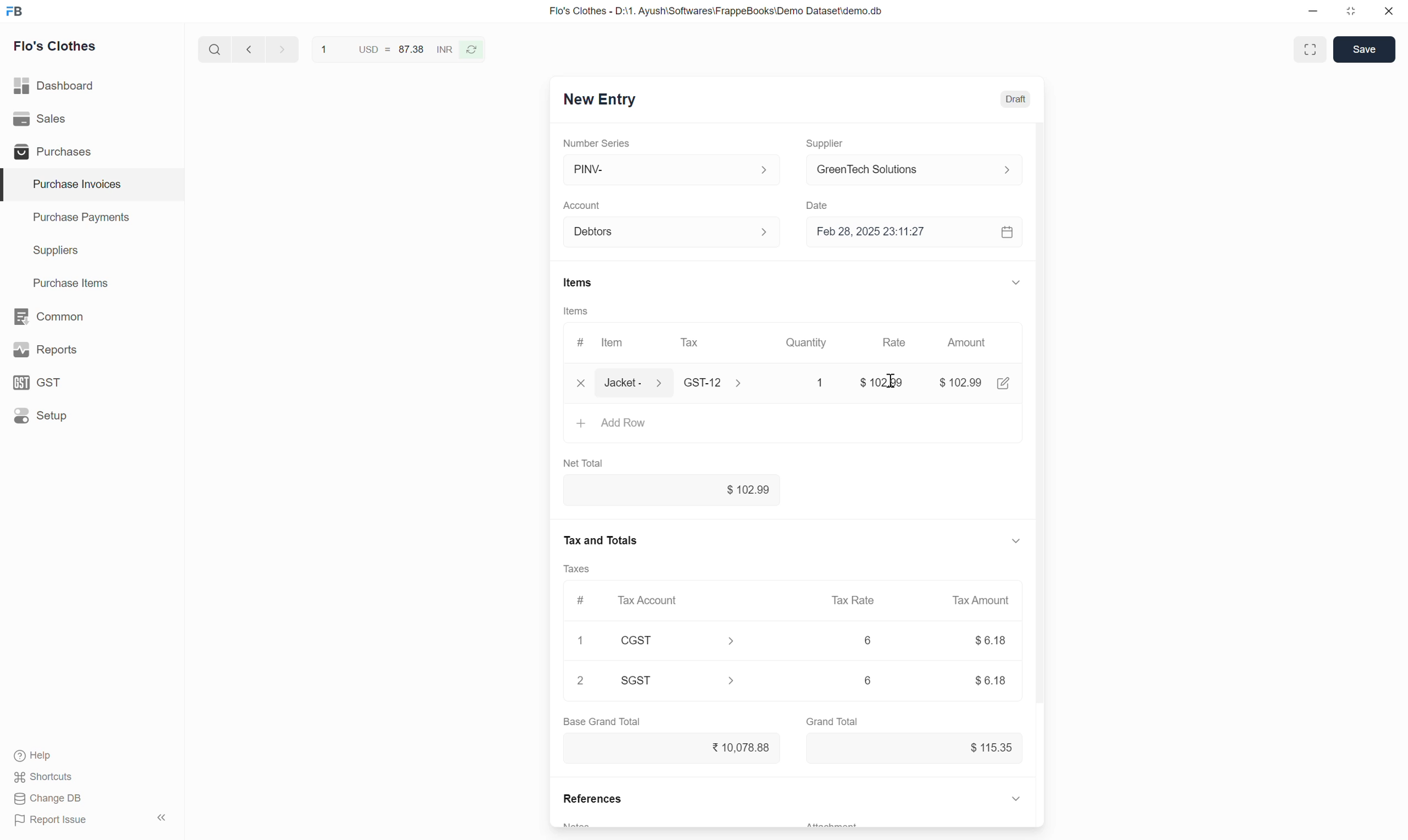 The height and width of the screenshot is (840, 1408). What do you see at coordinates (51, 820) in the screenshot?
I see `Report Issue` at bounding box center [51, 820].